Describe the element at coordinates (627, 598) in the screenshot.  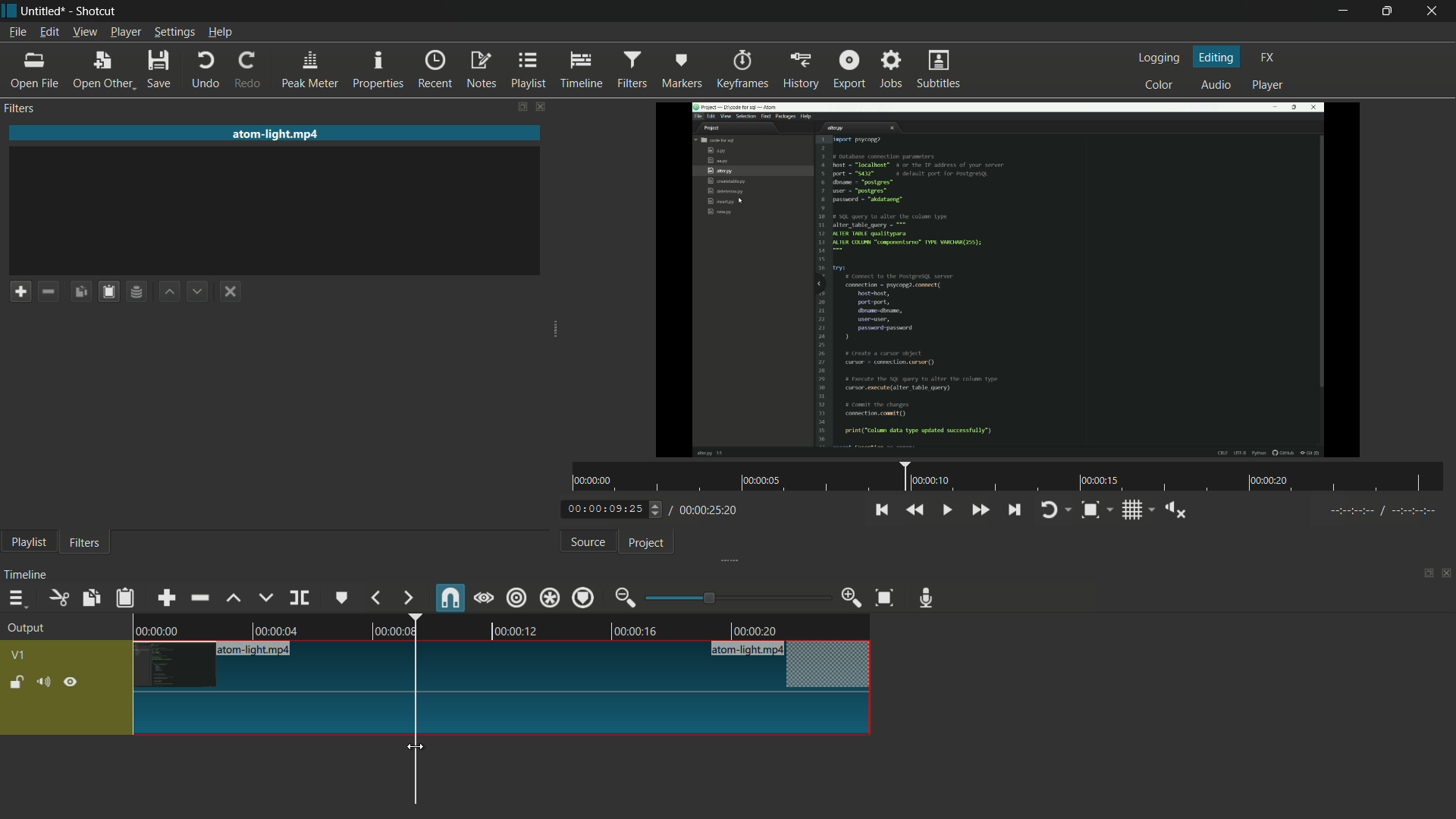
I see `zoom out` at that location.